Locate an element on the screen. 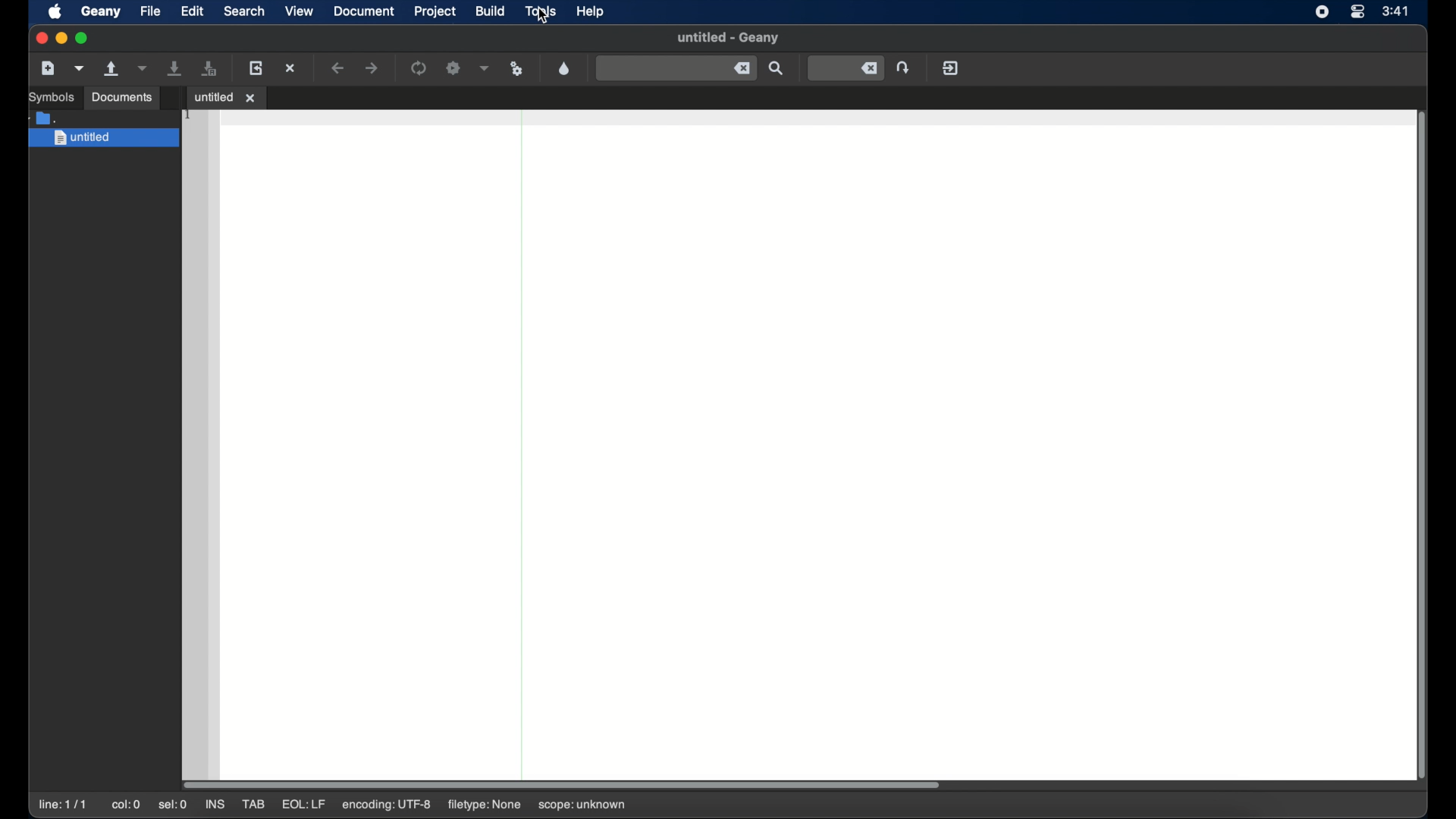 This screenshot has width=1456, height=819. control center is located at coordinates (1359, 12).